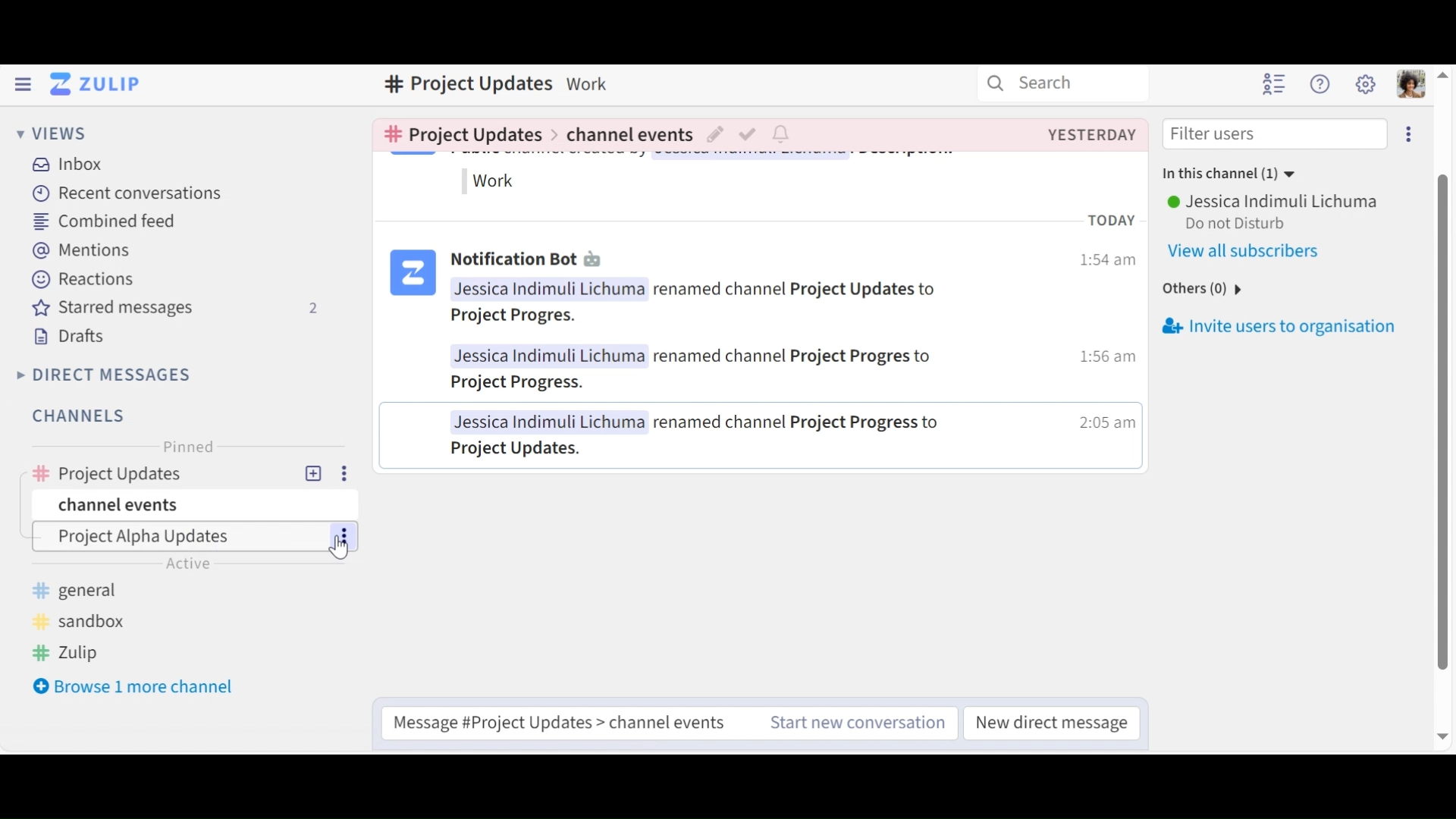 This screenshot has height=819, width=1456. What do you see at coordinates (512, 262) in the screenshot?
I see `Notification Bot` at bounding box center [512, 262].